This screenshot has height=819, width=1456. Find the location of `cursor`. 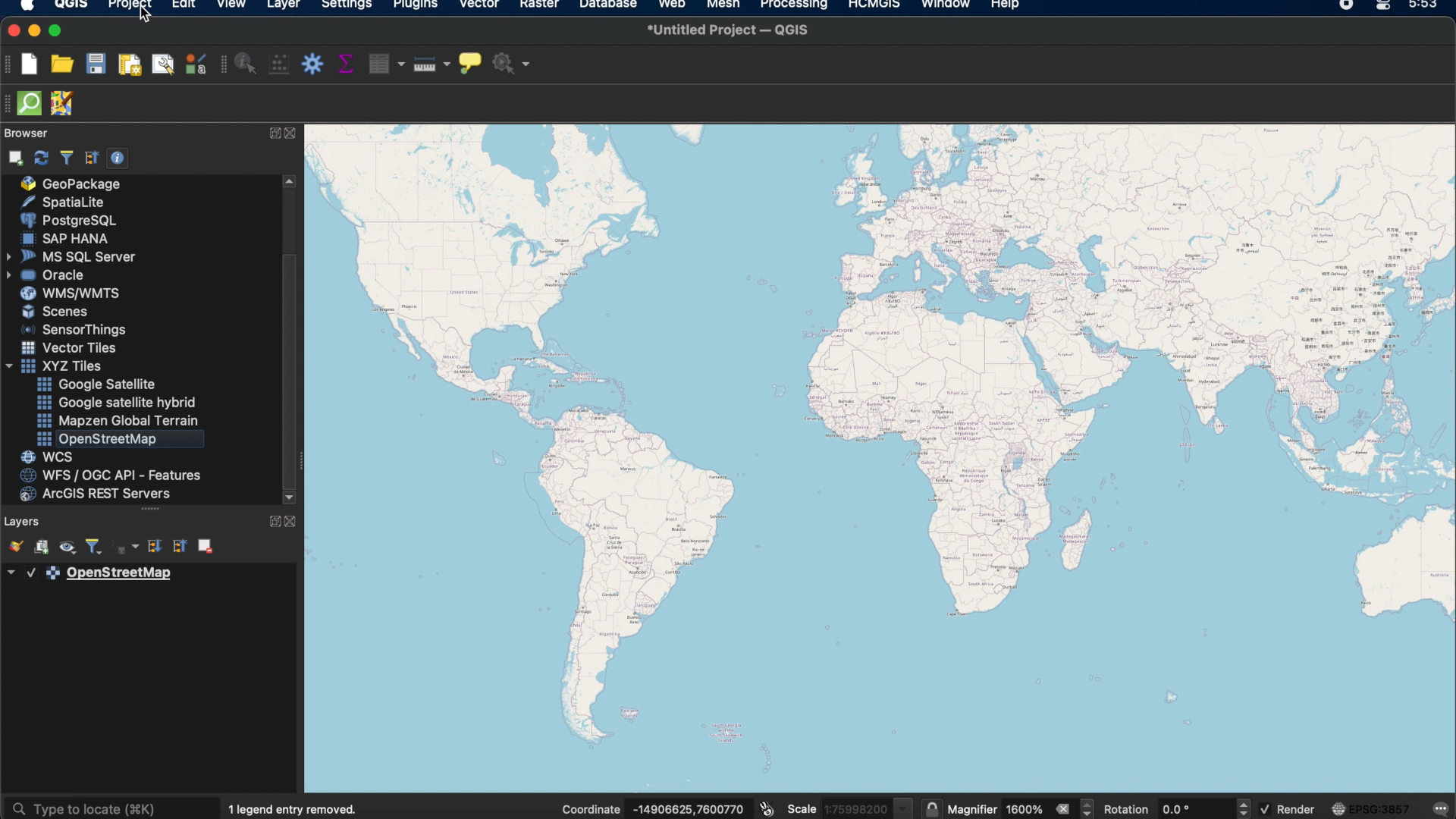

cursor is located at coordinates (149, 18).